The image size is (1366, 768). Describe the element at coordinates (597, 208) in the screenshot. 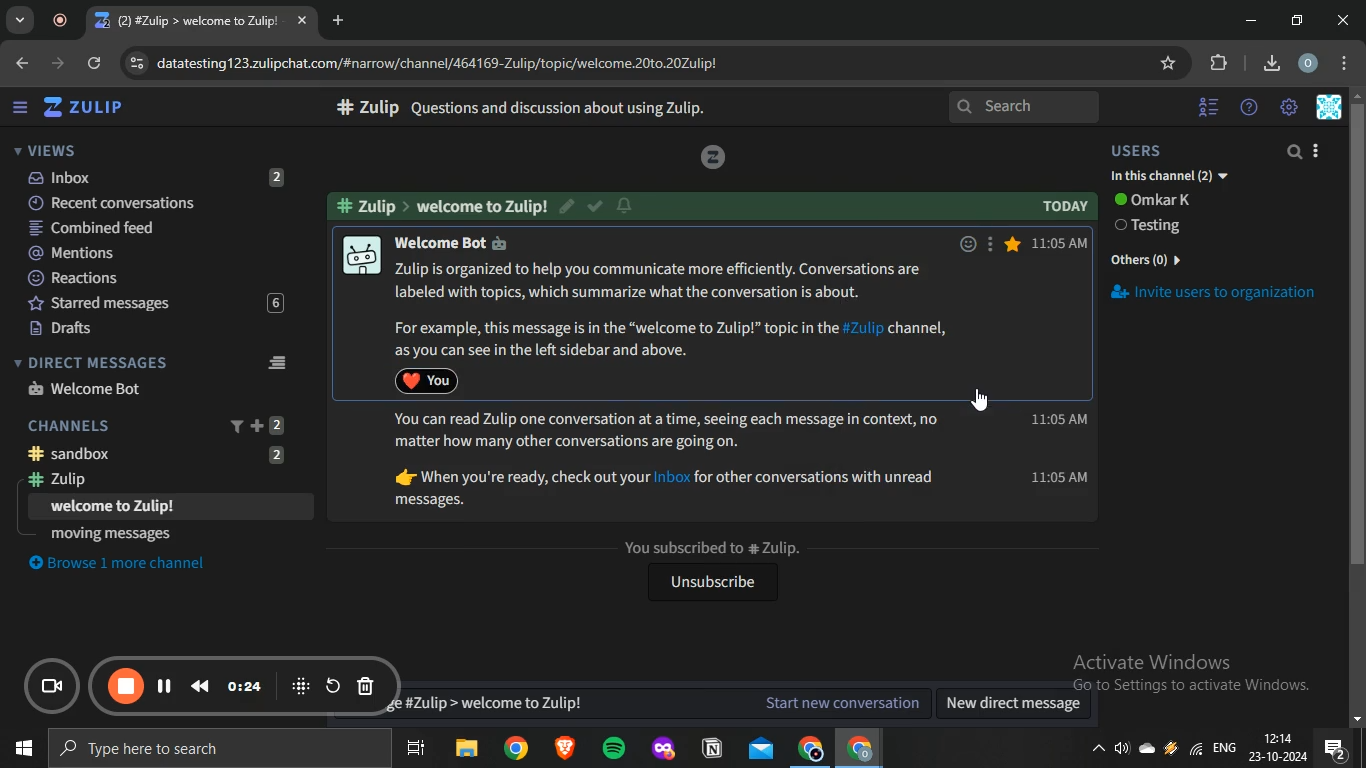

I see `check` at that location.